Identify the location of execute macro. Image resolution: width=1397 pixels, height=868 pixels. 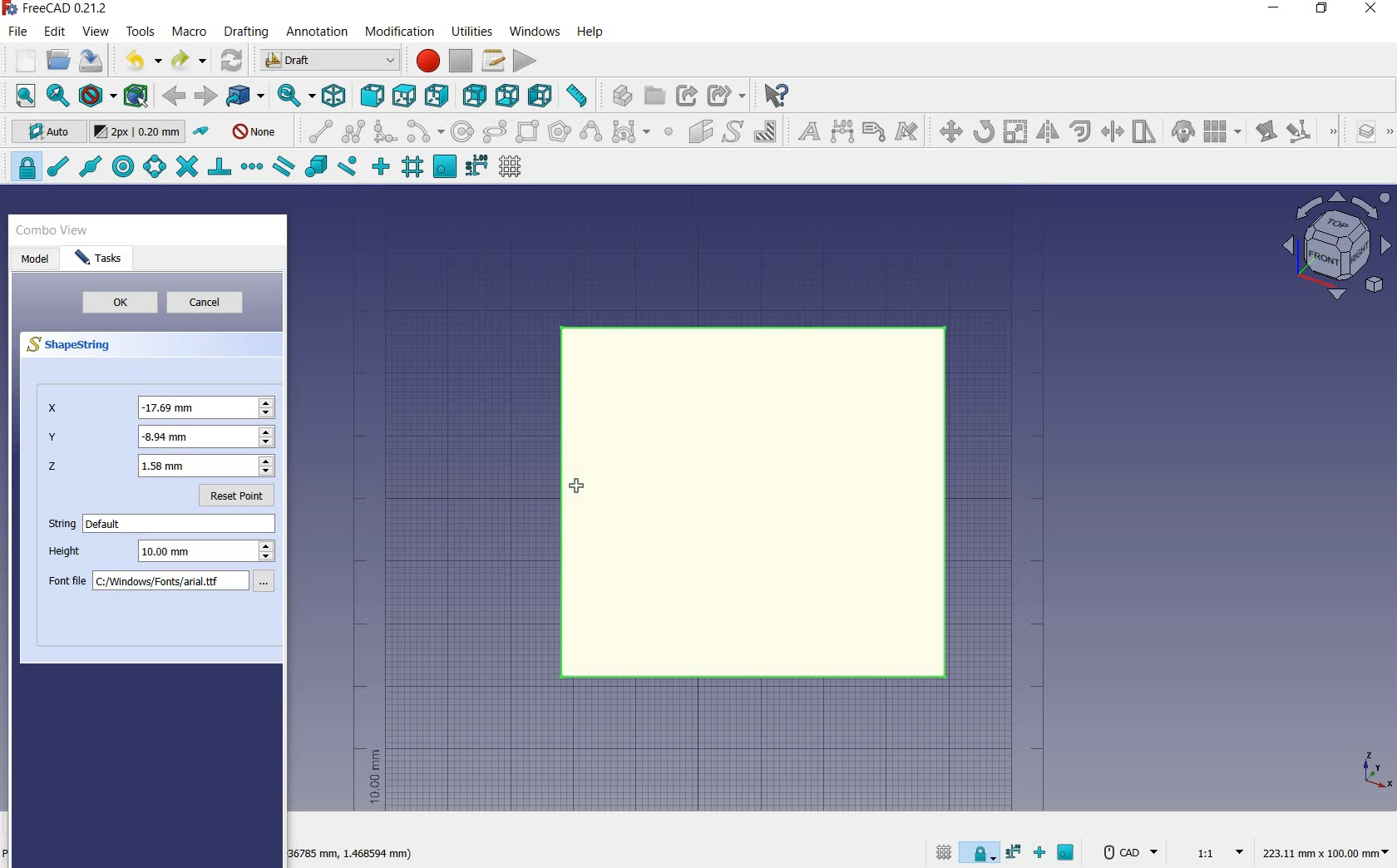
(526, 61).